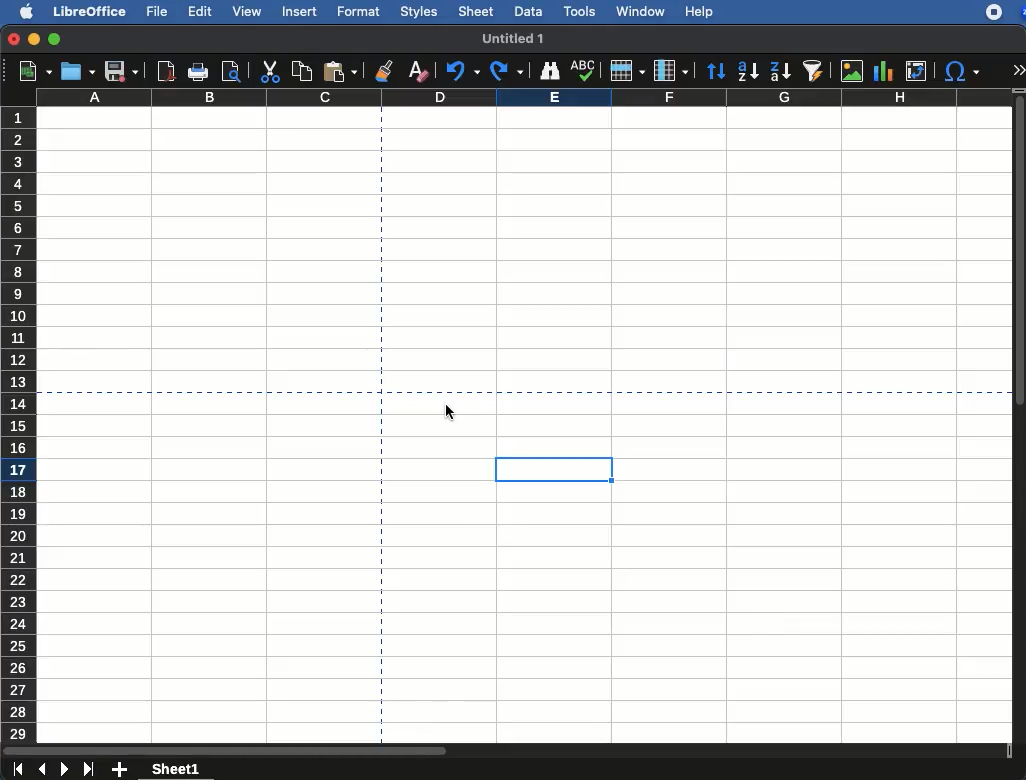  I want to click on redo, so click(508, 71).